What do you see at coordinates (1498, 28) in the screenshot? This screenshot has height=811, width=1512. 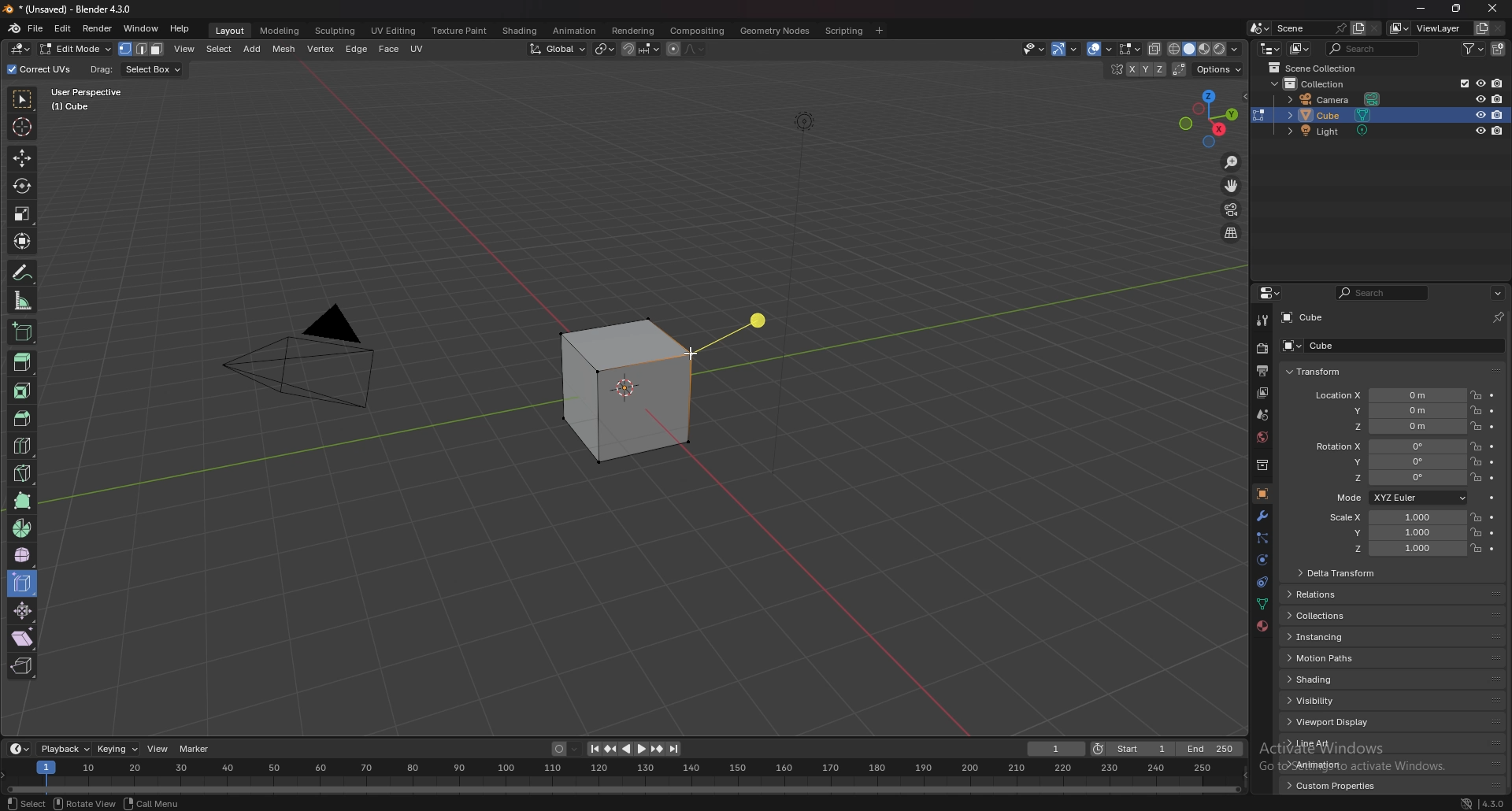 I see `remove view layer` at bounding box center [1498, 28].